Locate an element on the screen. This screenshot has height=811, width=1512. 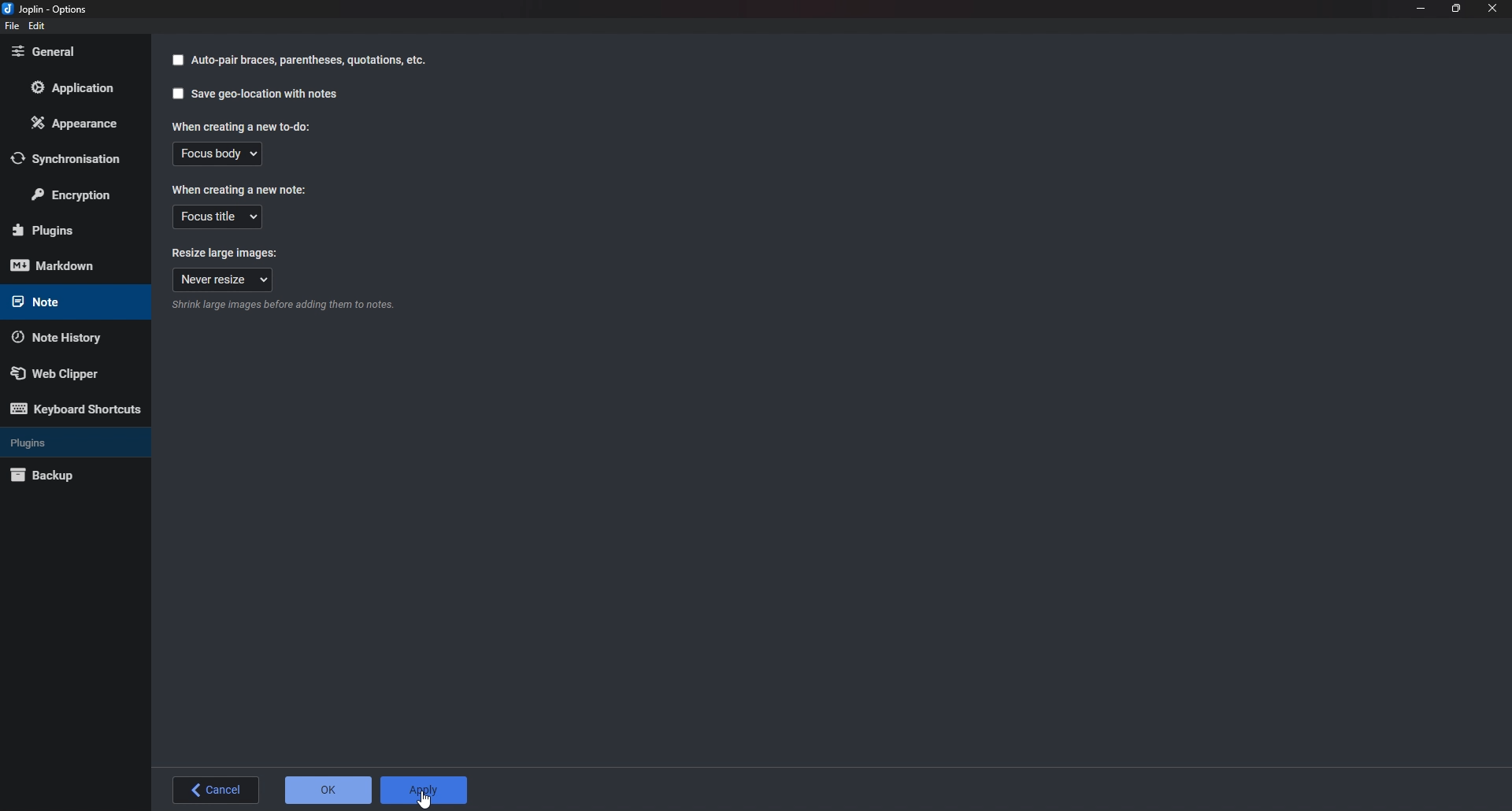
file is located at coordinates (11, 27).